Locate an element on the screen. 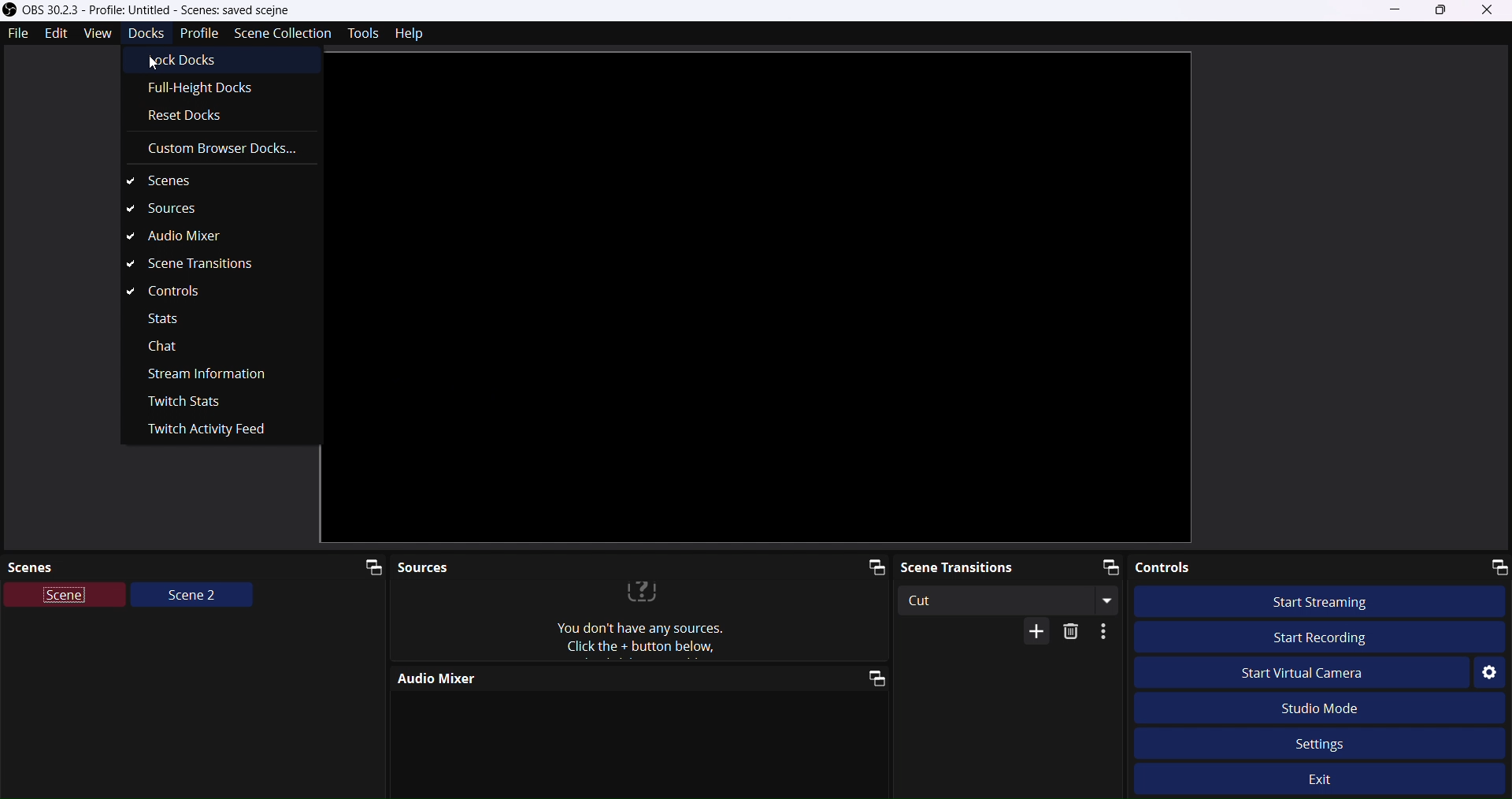 The height and width of the screenshot is (799, 1512). dock panel is located at coordinates (365, 565).